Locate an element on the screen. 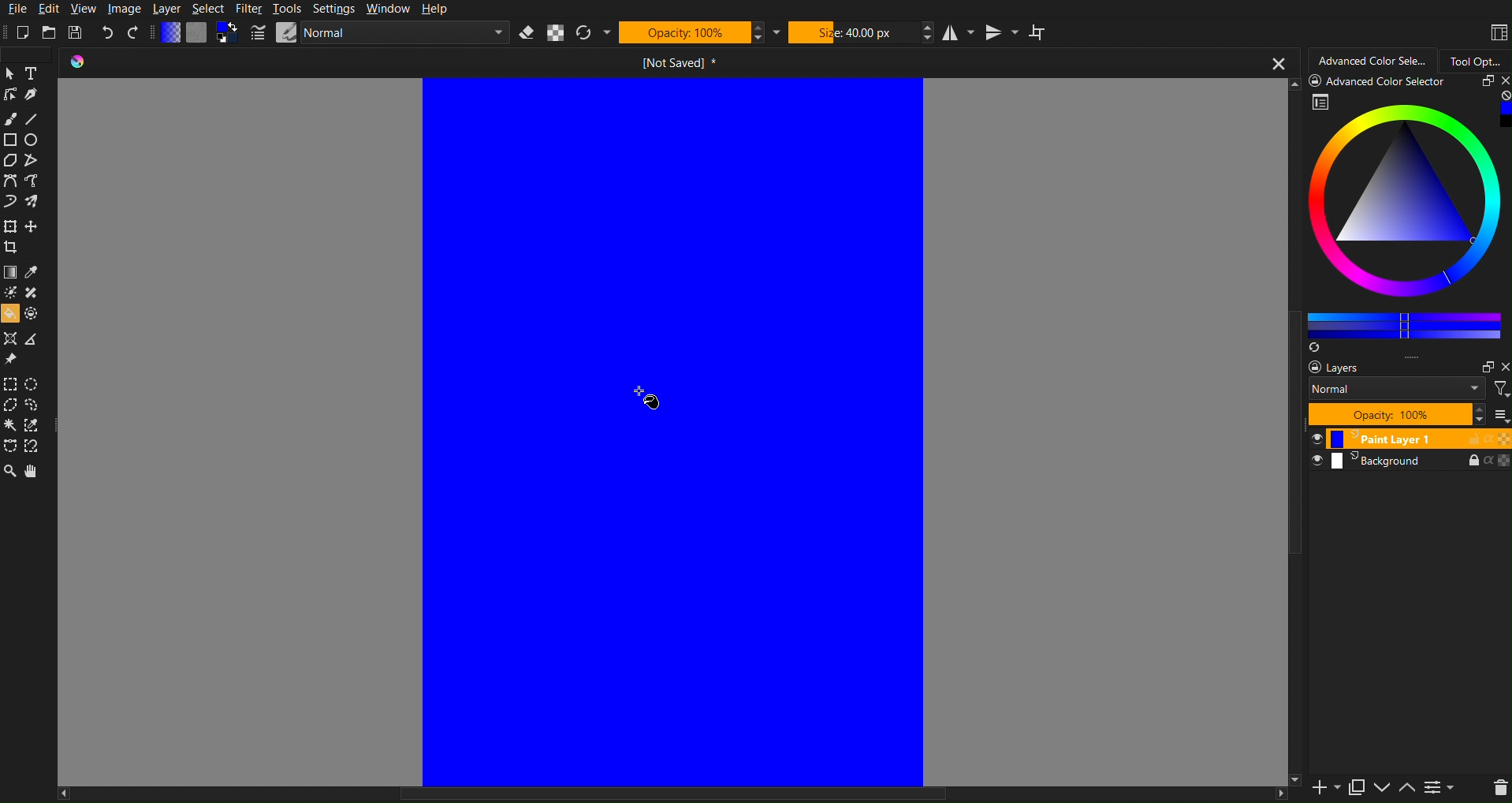 The width and height of the screenshot is (1512, 803). Pen is located at coordinates (32, 94).